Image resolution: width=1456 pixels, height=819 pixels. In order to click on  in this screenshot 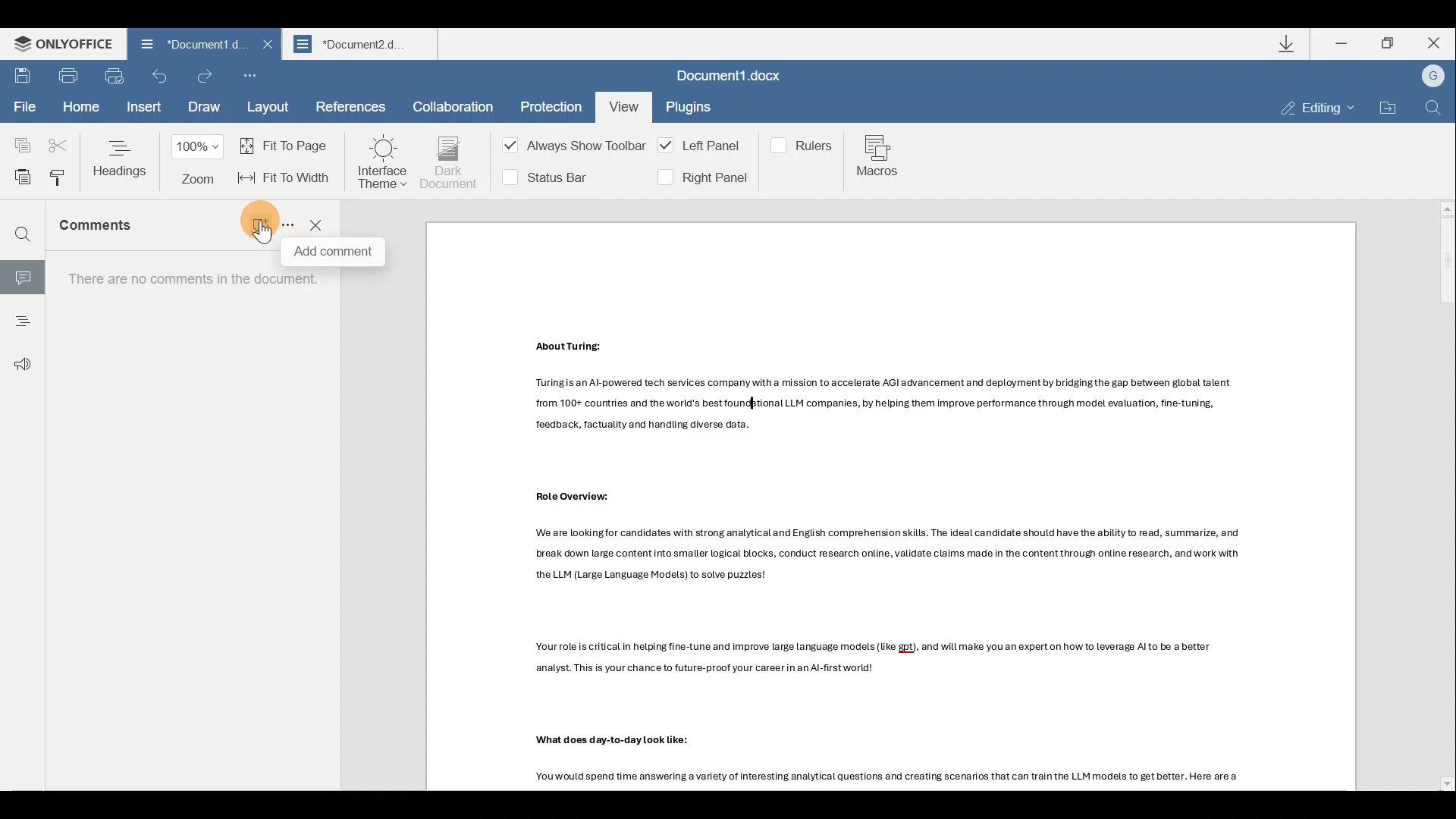, I will do `click(883, 557)`.